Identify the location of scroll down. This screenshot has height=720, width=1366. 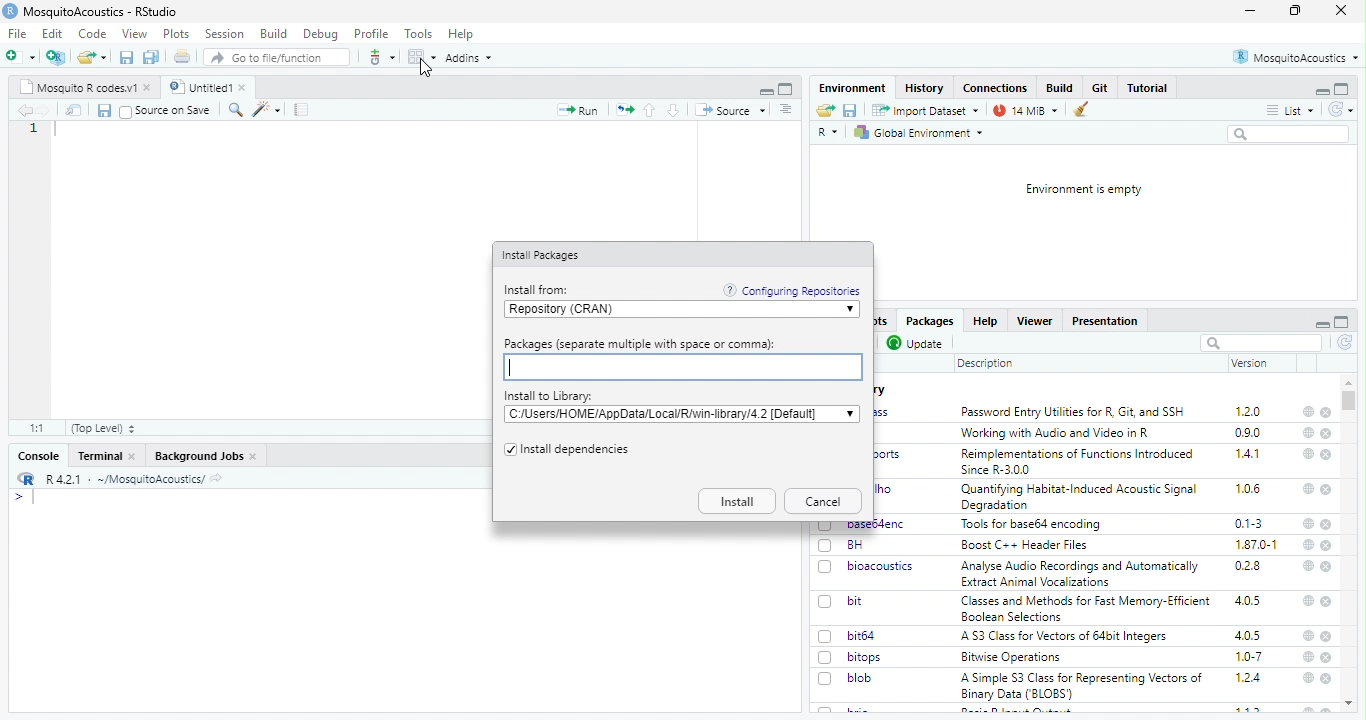
(1350, 704).